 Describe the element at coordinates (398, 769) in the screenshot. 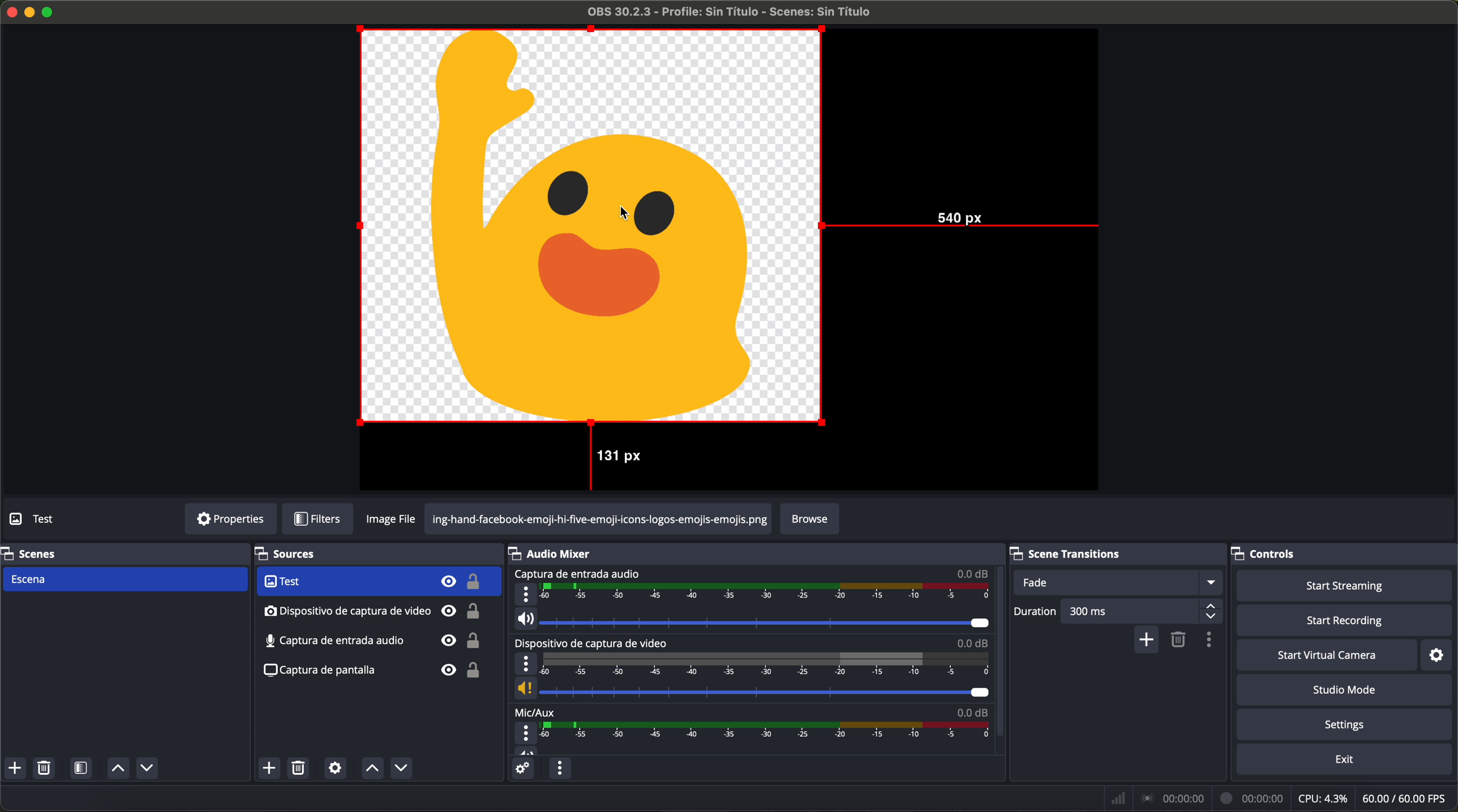

I see `move source down` at that location.